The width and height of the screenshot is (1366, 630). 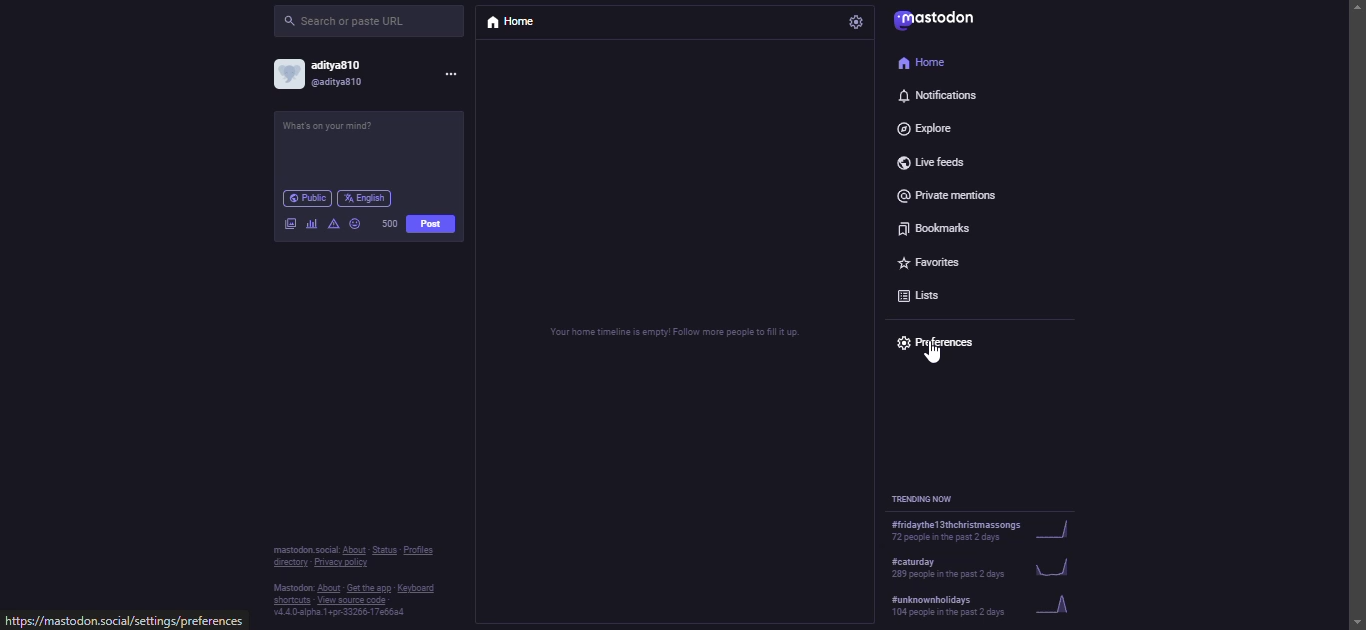 I want to click on more, so click(x=452, y=75).